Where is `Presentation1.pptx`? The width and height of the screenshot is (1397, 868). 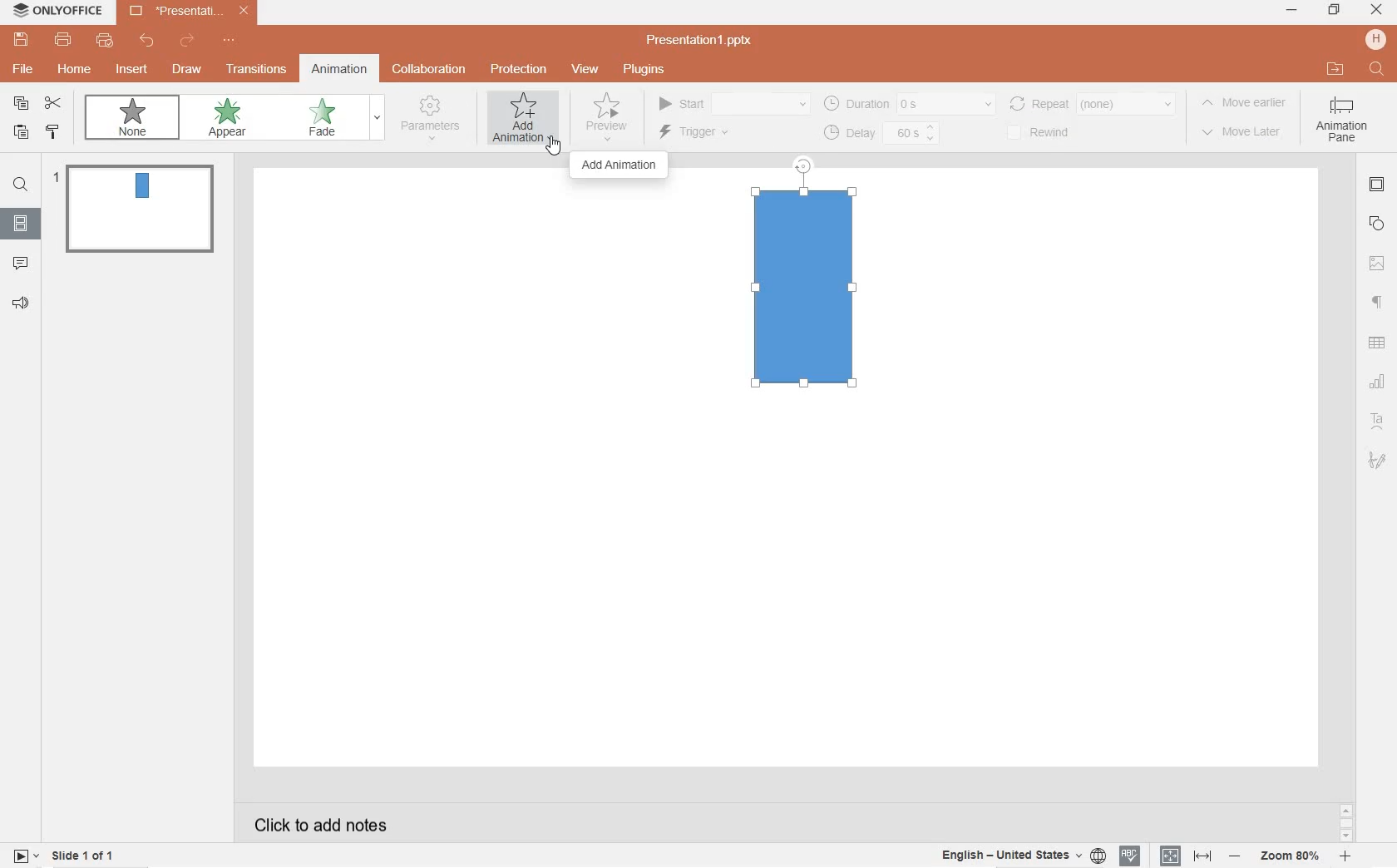 Presentation1.pptx is located at coordinates (702, 40).